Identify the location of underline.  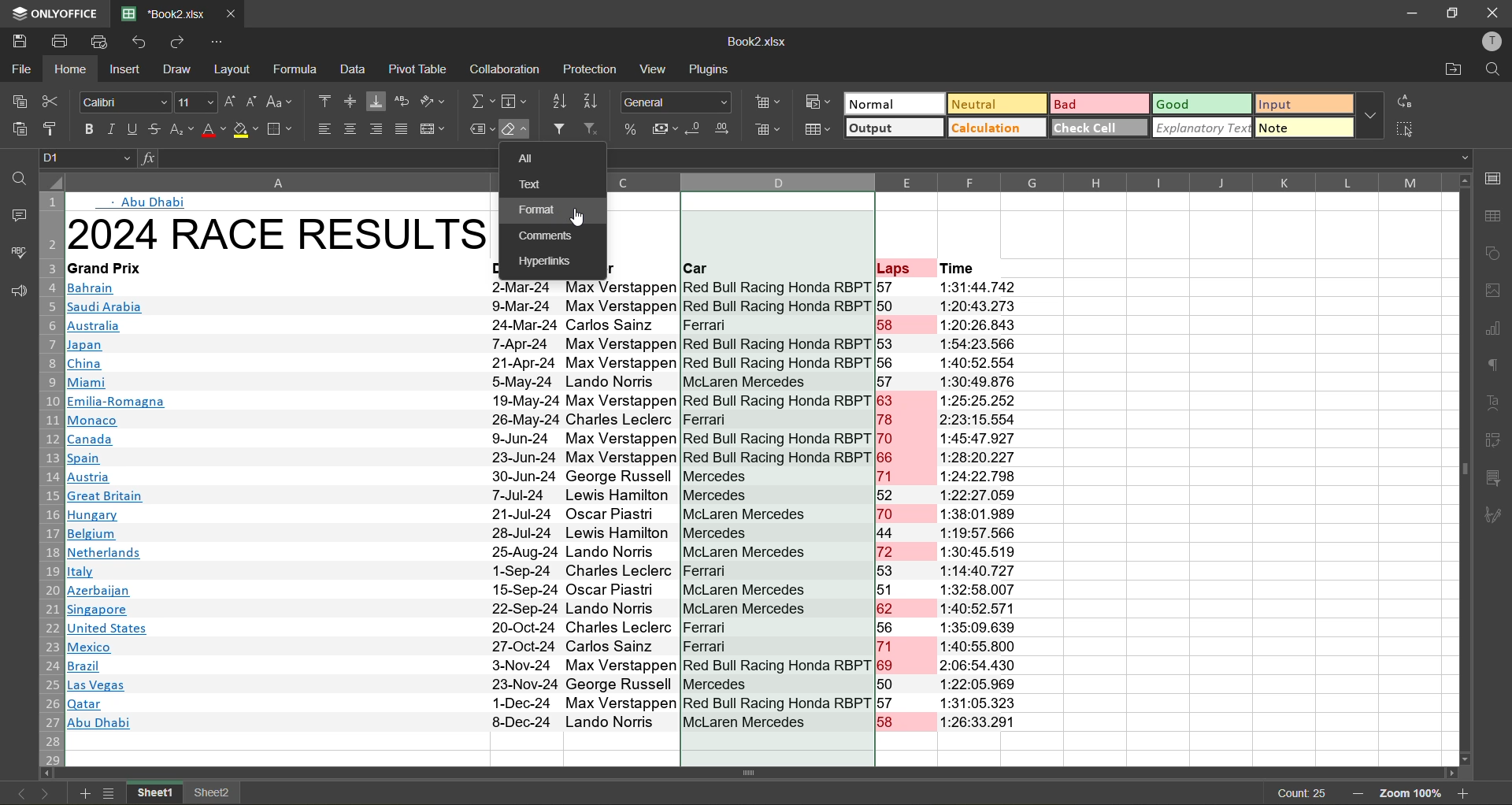
(134, 128).